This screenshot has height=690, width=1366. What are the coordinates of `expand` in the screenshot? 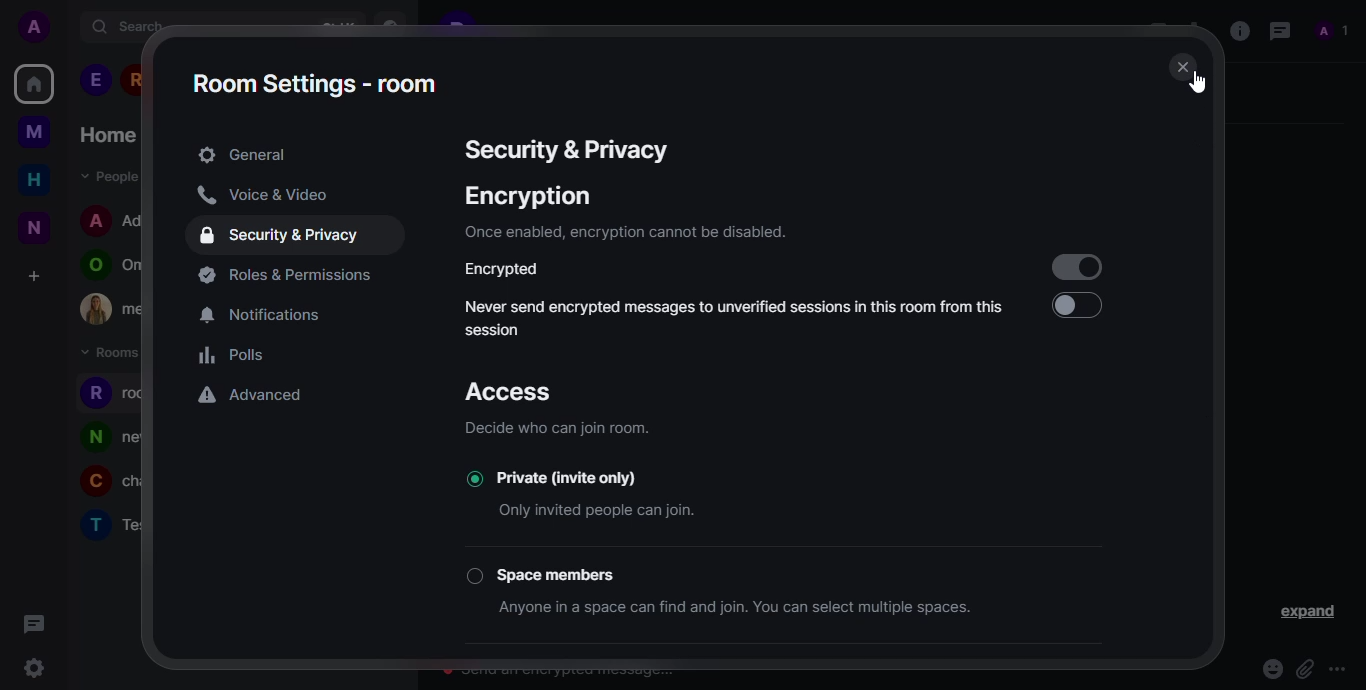 It's located at (1310, 613).